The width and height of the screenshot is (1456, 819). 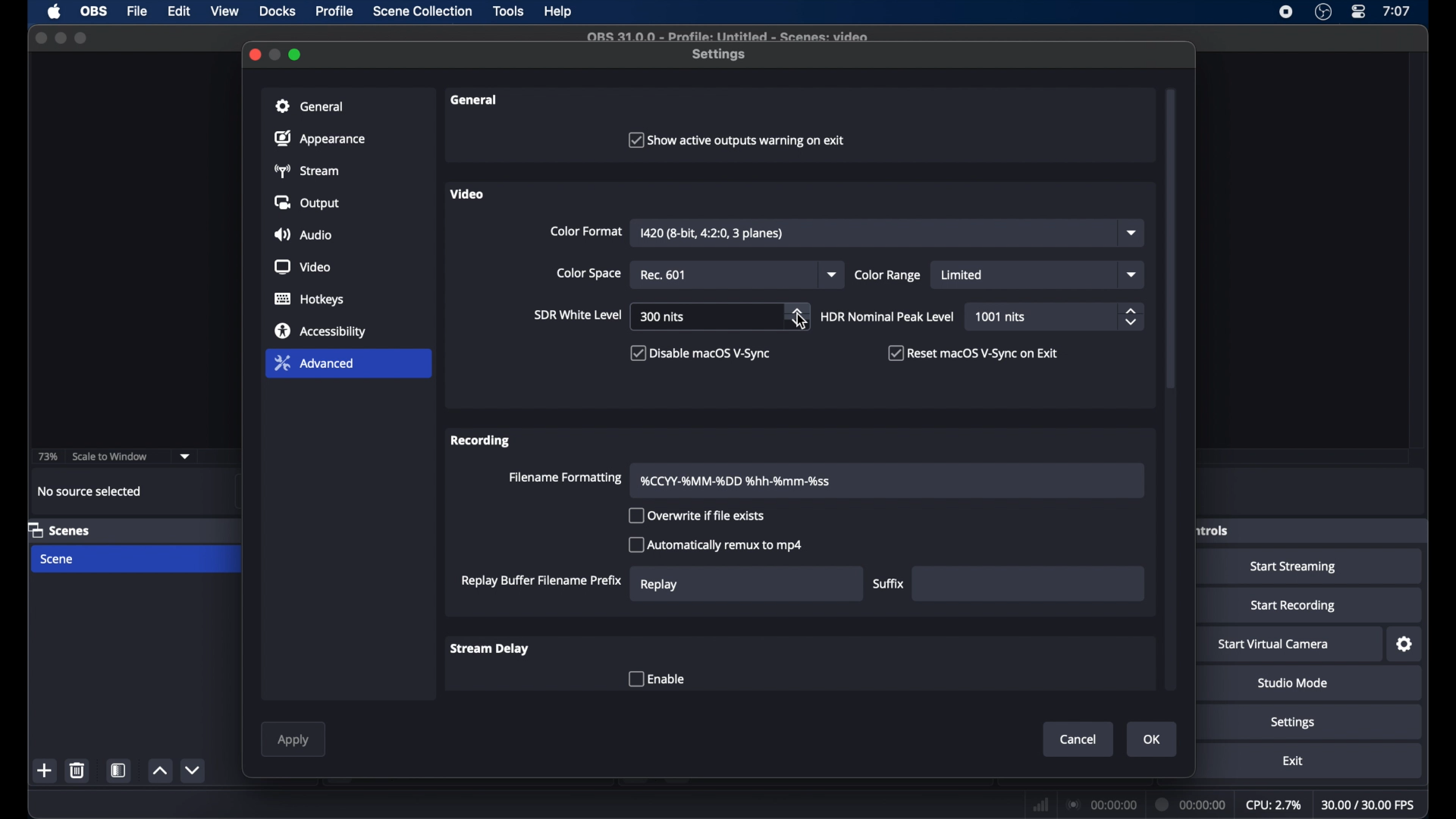 What do you see at coordinates (658, 585) in the screenshot?
I see `replay` at bounding box center [658, 585].